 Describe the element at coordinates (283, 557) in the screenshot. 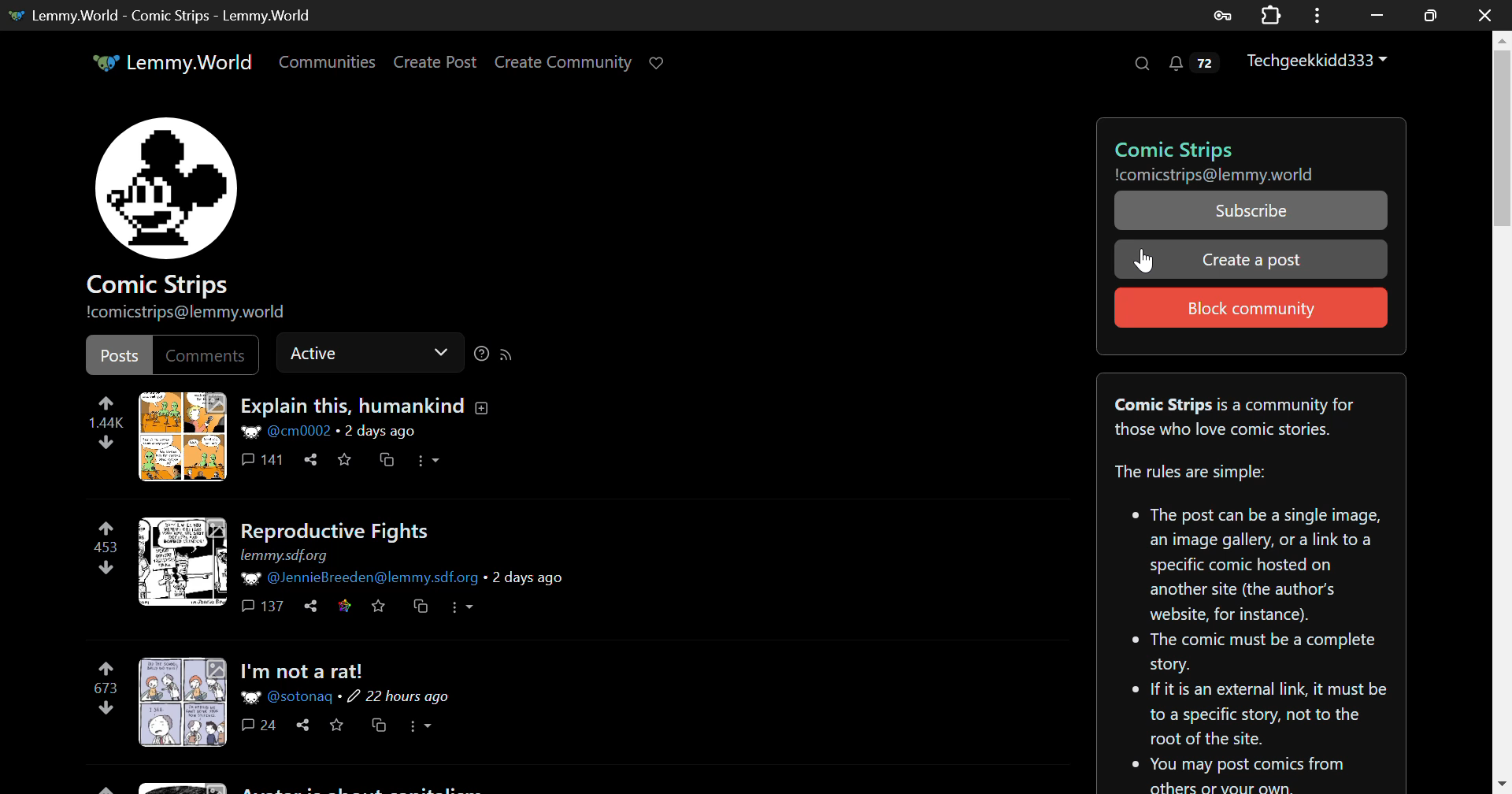

I see `lemmy.sdf.org` at that location.